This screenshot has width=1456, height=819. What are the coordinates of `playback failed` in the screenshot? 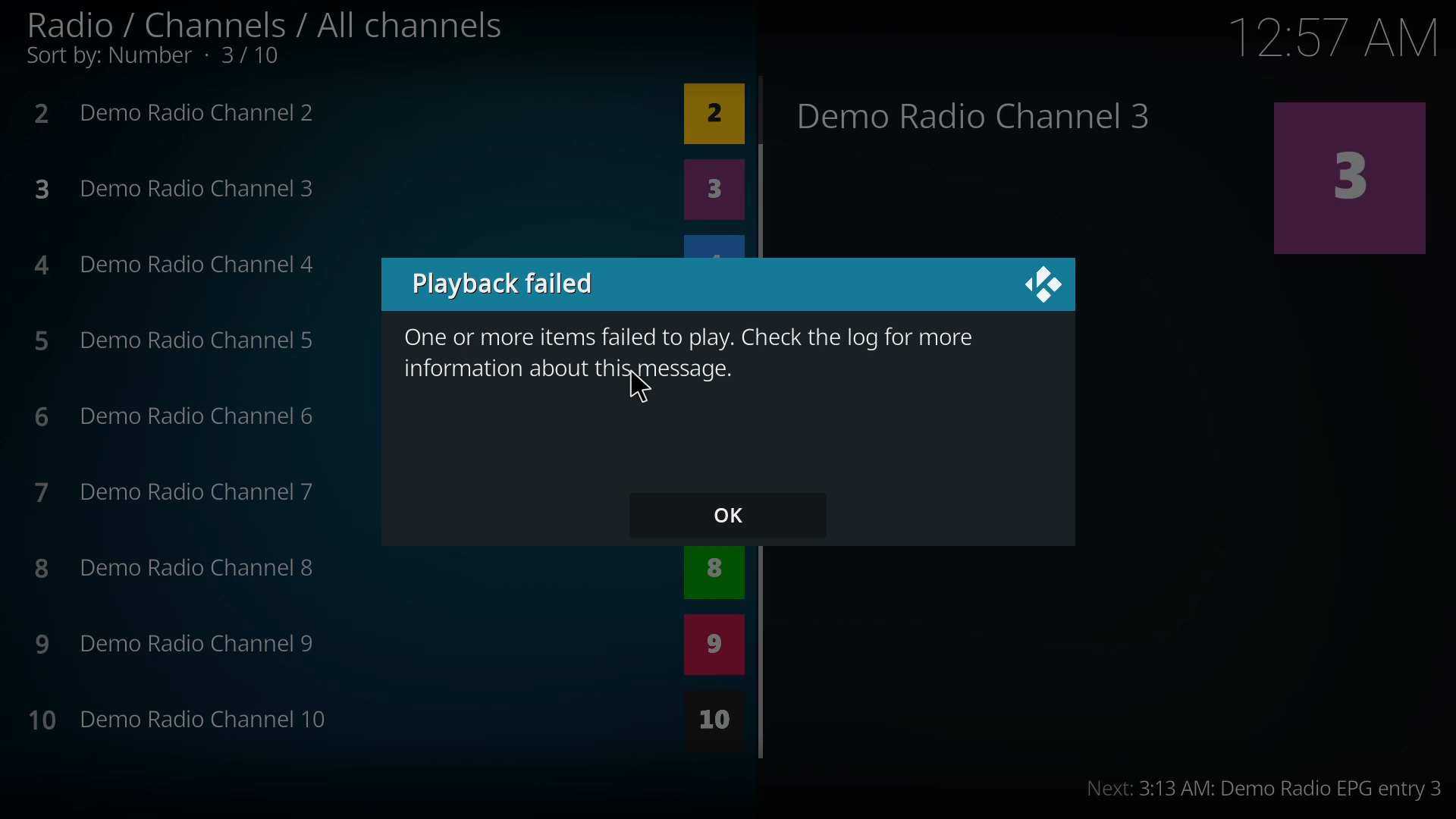 It's located at (507, 283).